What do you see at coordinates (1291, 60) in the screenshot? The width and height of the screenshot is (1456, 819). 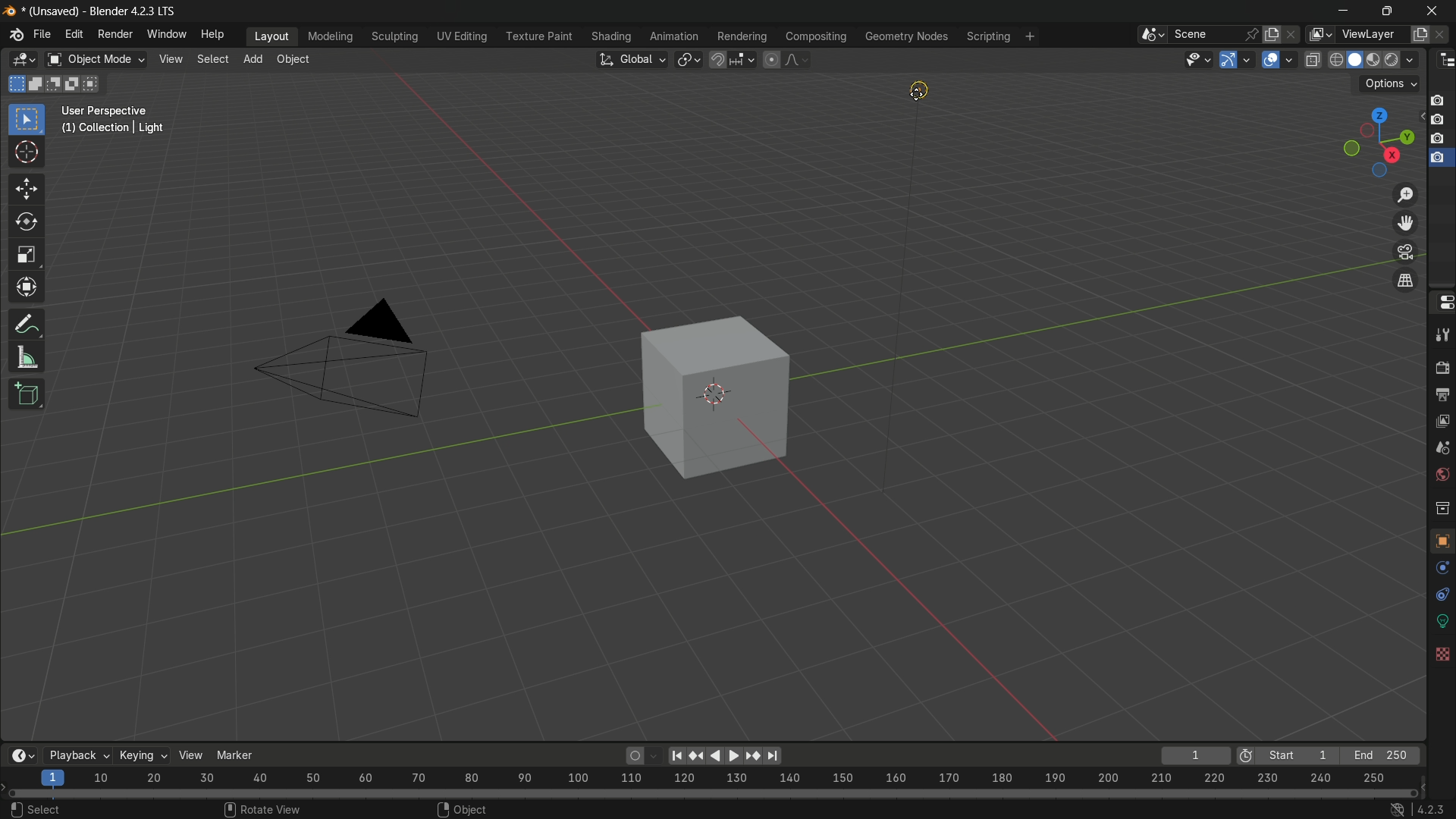 I see `overlays` at bounding box center [1291, 60].